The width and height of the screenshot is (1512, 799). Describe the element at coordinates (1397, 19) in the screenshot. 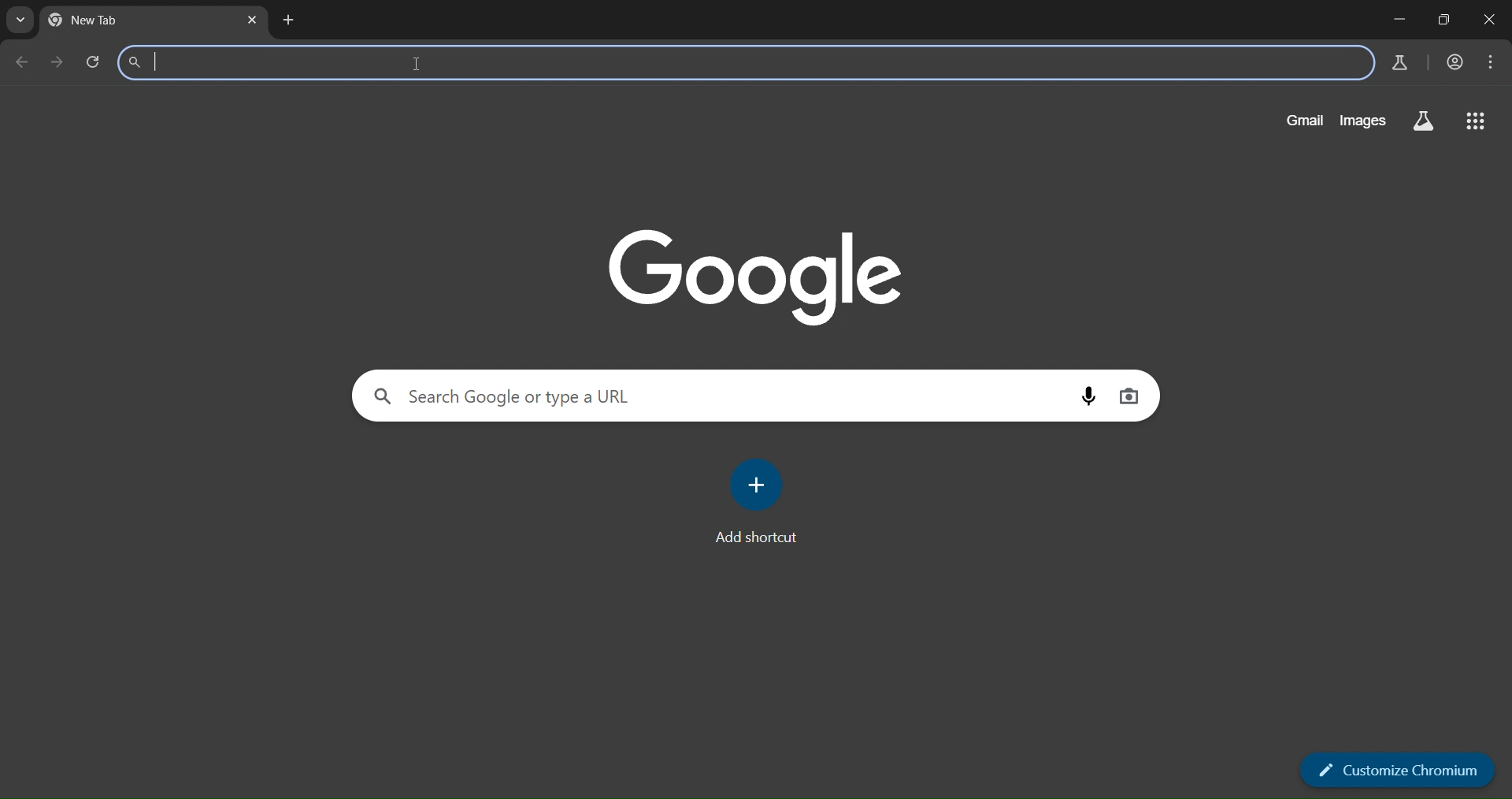

I see `minimize` at that location.